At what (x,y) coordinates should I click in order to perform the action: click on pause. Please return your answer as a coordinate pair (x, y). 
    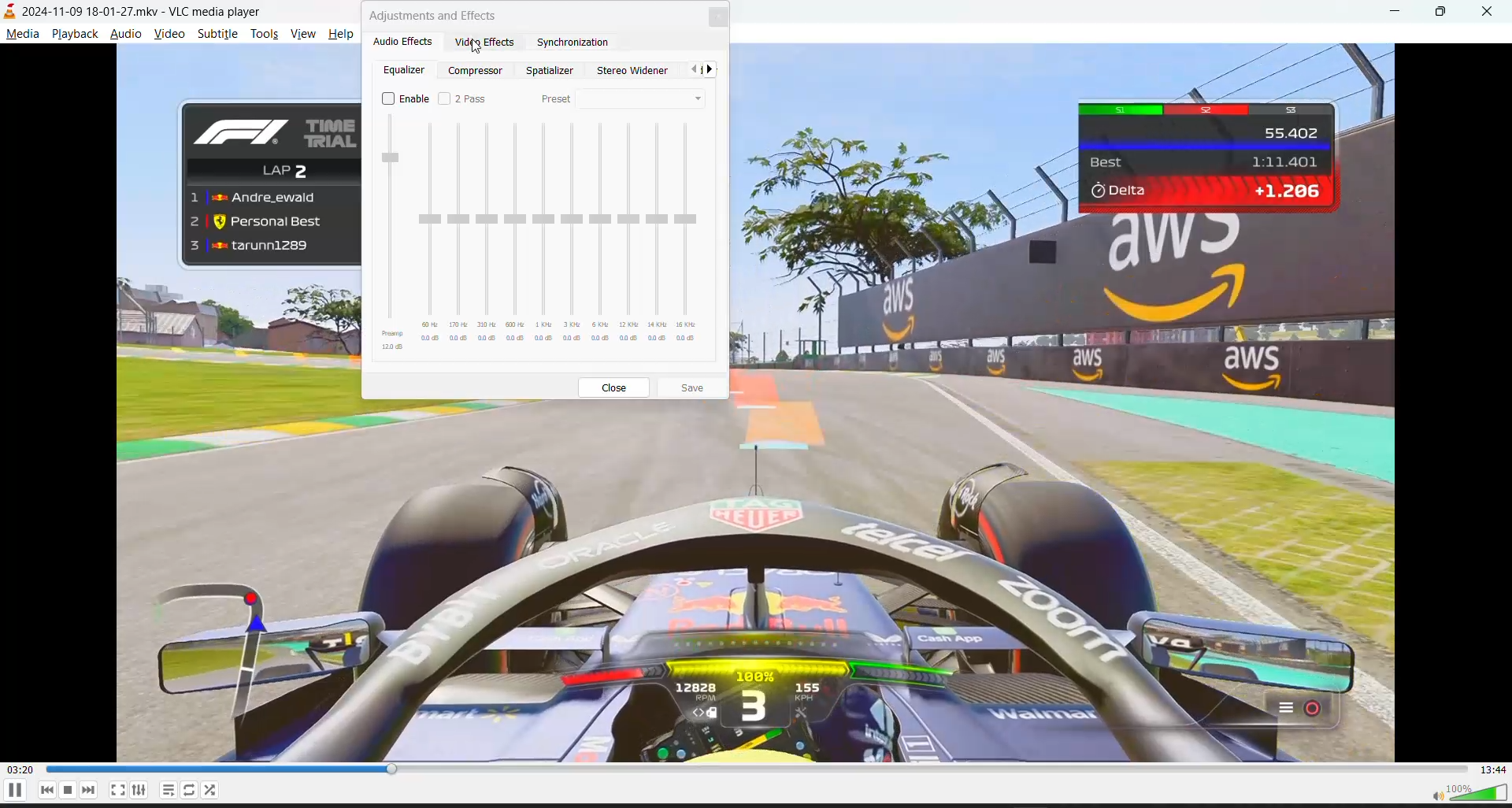
    Looking at the image, I should click on (14, 790).